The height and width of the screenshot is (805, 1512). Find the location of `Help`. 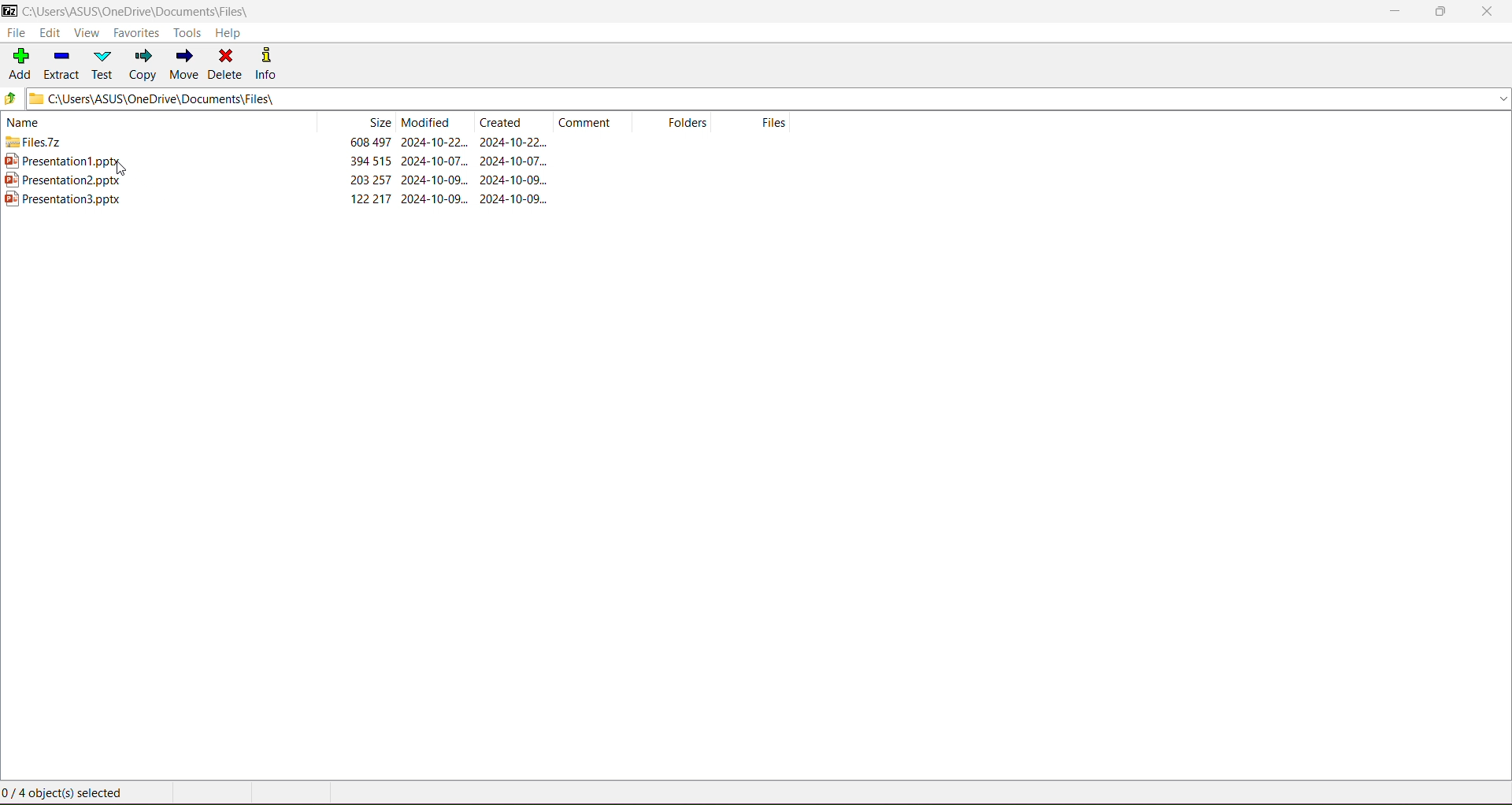

Help is located at coordinates (229, 32).